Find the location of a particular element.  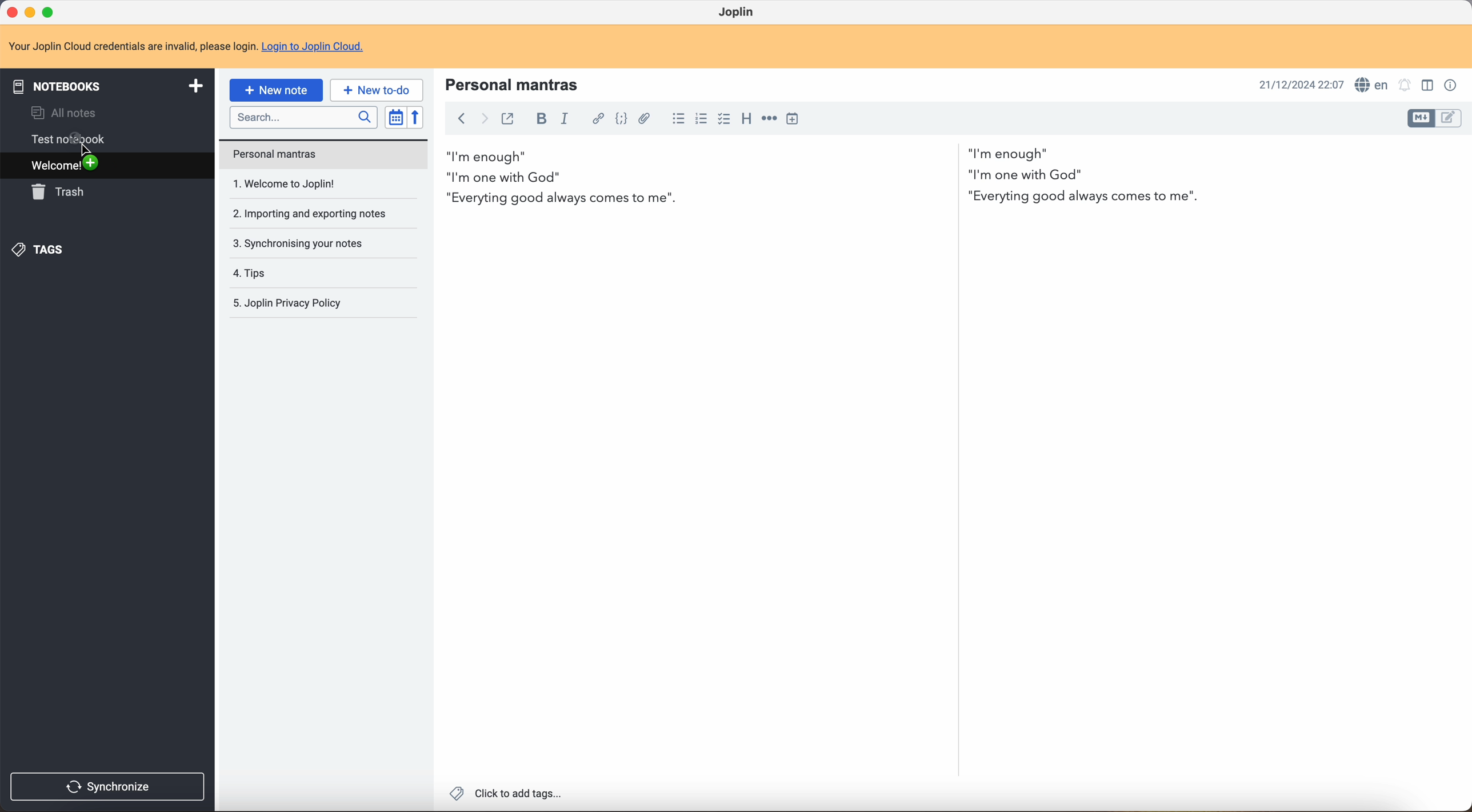

horizontal rule is located at coordinates (770, 119).